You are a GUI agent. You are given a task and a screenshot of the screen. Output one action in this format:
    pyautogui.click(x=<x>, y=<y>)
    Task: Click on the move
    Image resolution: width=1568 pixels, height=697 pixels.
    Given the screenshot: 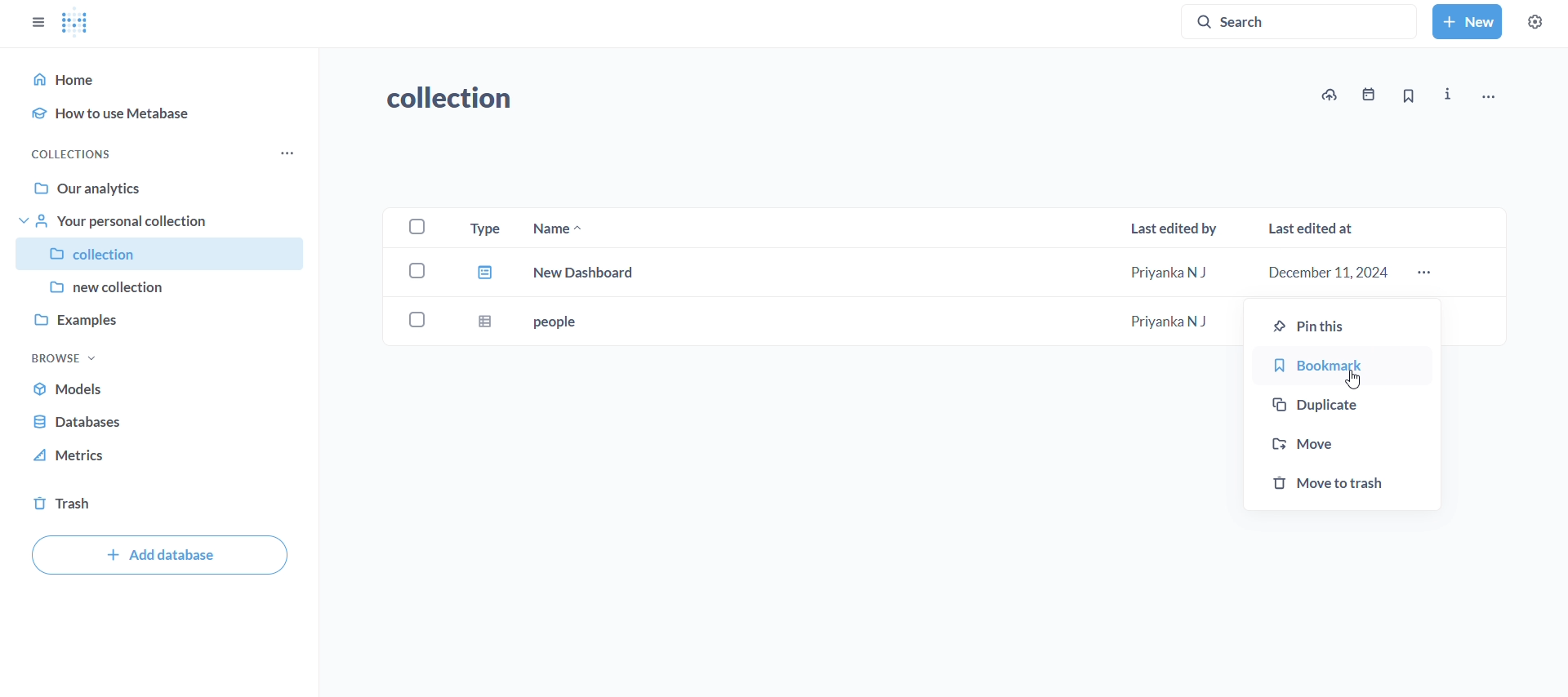 What is the action you would take?
    pyautogui.click(x=1339, y=442)
    